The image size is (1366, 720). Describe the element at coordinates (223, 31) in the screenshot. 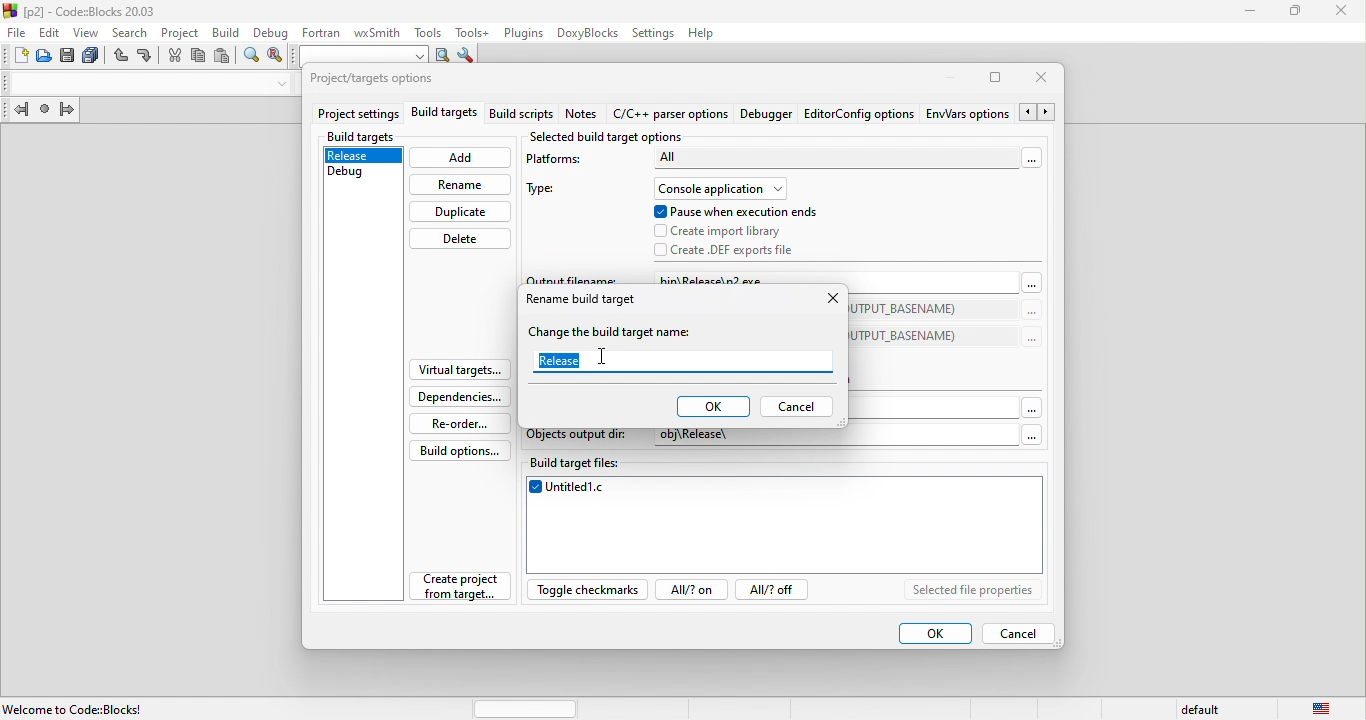

I see `build` at that location.